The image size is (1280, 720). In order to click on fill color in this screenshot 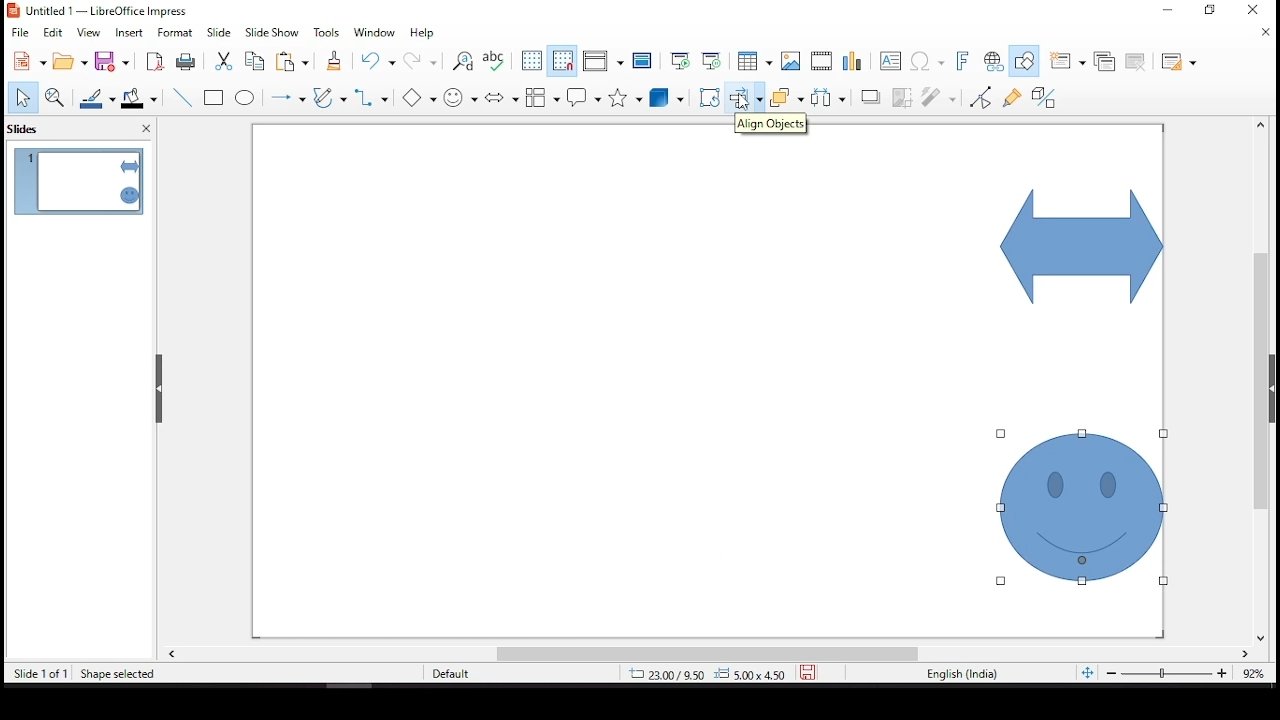, I will do `click(139, 101)`.